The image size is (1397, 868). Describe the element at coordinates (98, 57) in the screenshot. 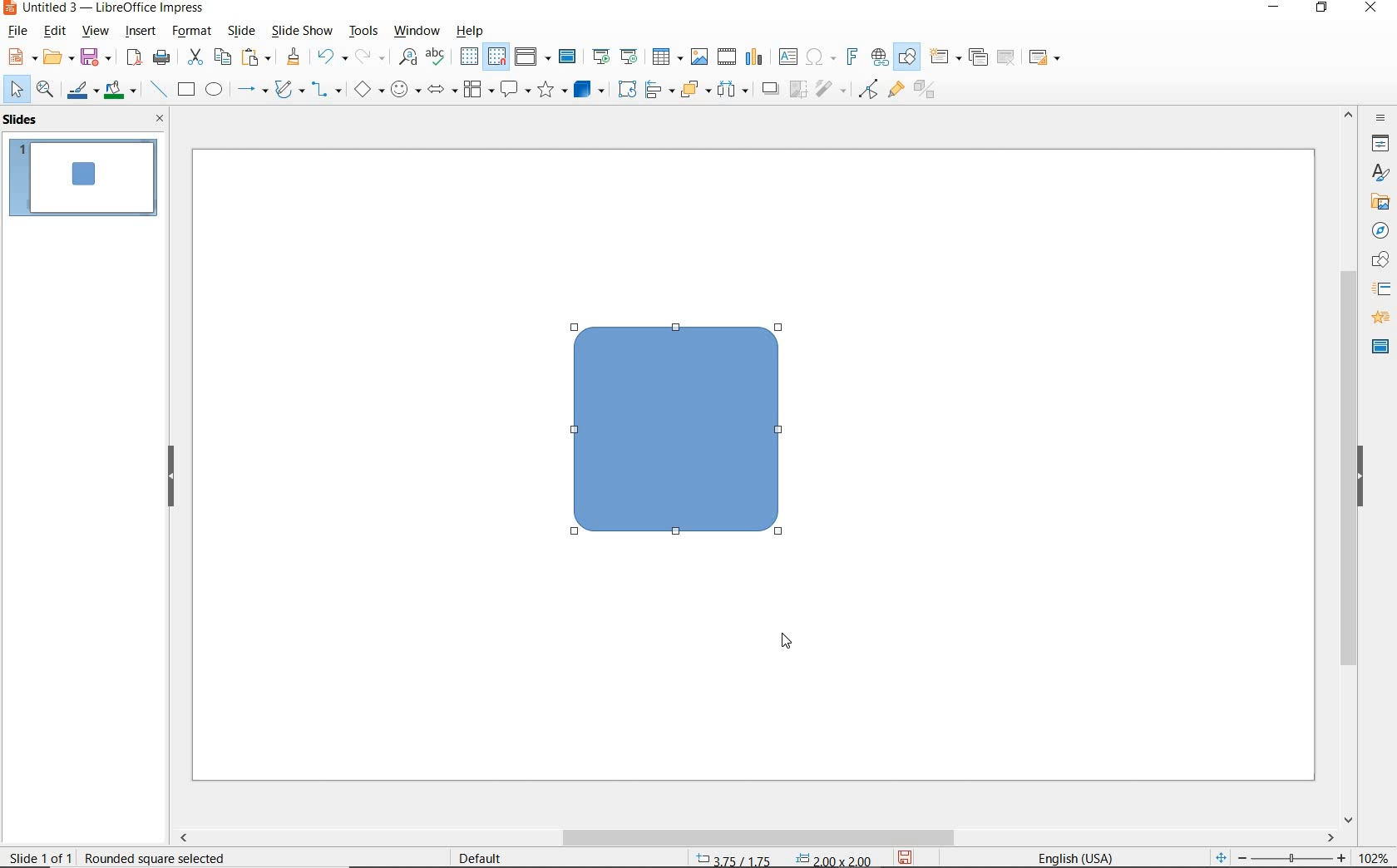

I see `save` at that location.